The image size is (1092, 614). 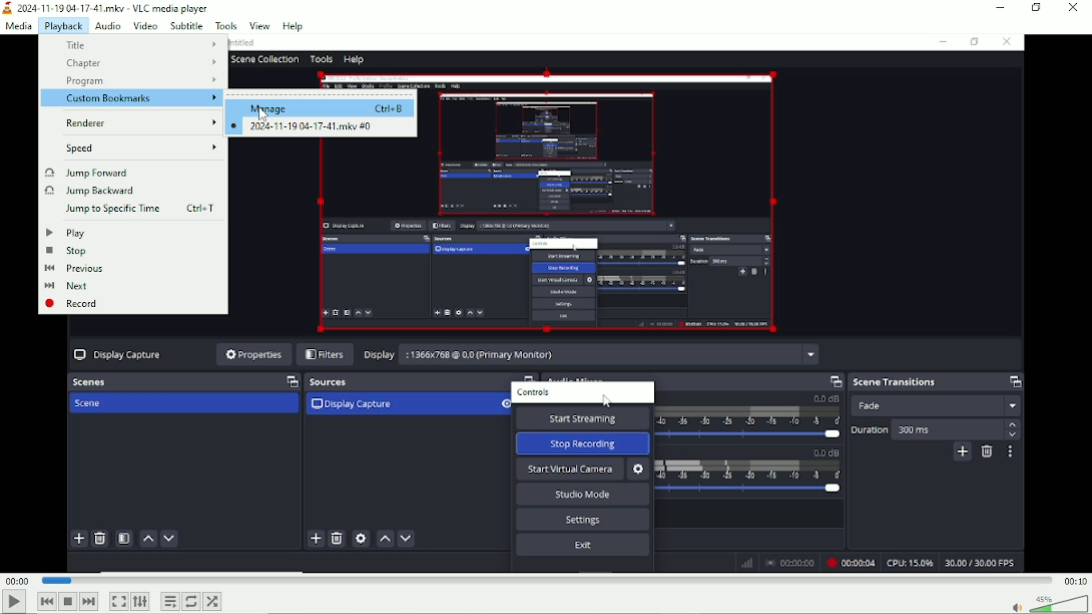 What do you see at coordinates (262, 114) in the screenshot?
I see `Cursor` at bounding box center [262, 114].